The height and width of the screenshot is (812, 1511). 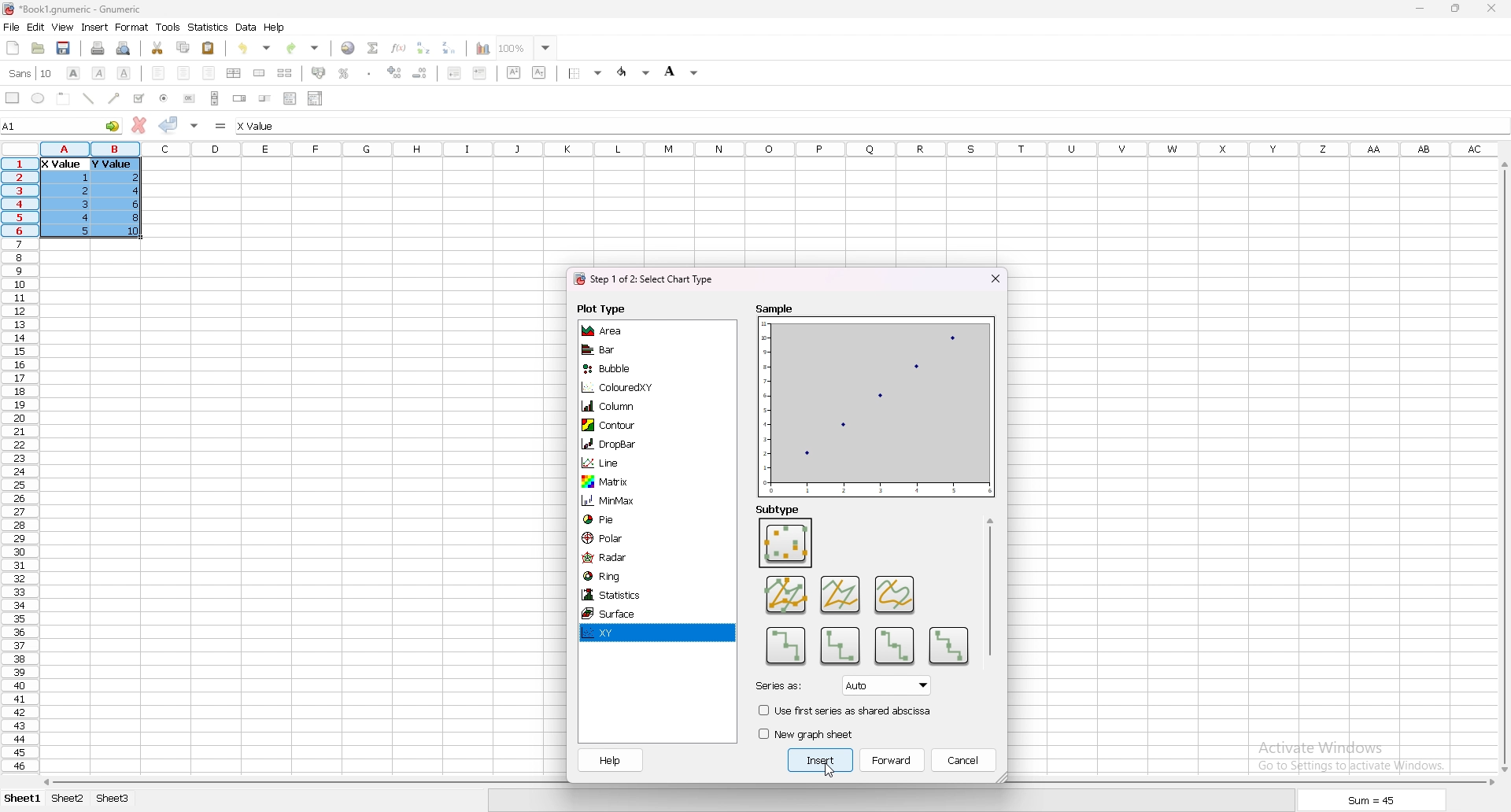 What do you see at coordinates (305, 48) in the screenshot?
I see `redo` at bounding box center [305, 48].